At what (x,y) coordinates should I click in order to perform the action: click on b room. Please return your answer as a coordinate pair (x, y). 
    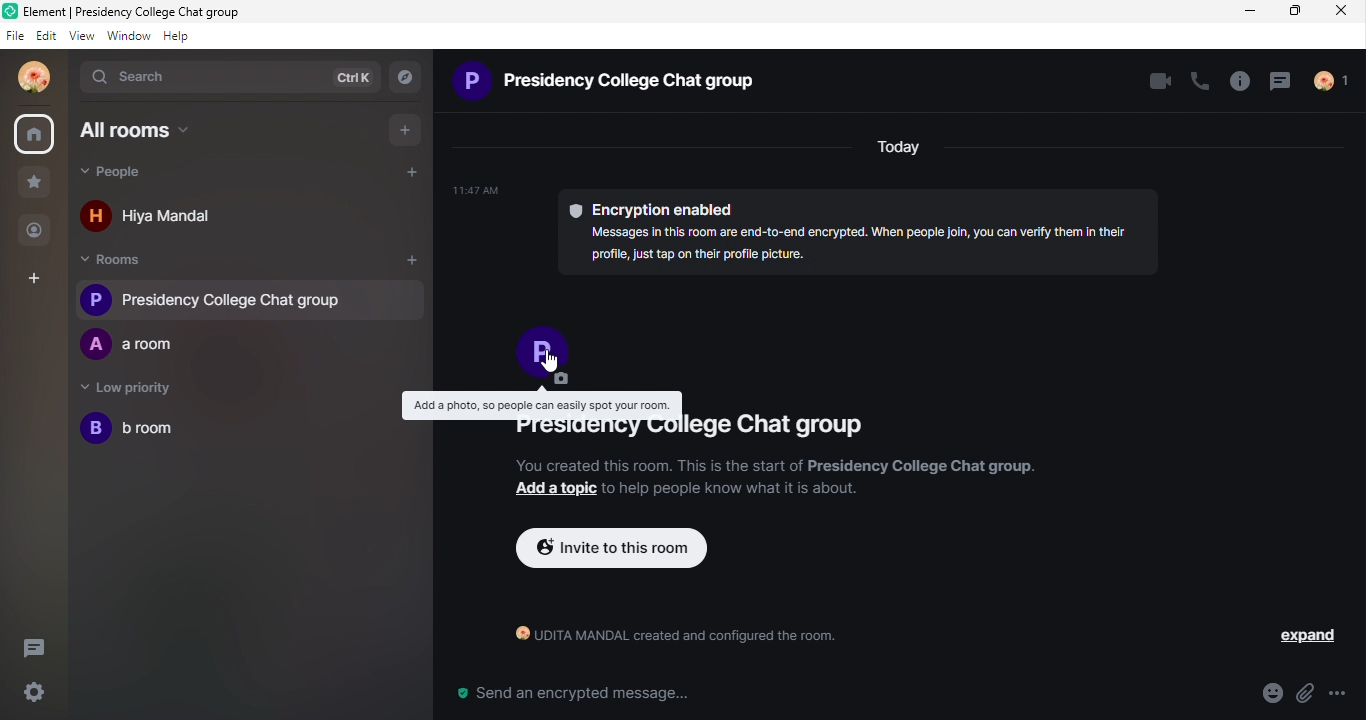
    Looking at the image, I should click on (129, 428).